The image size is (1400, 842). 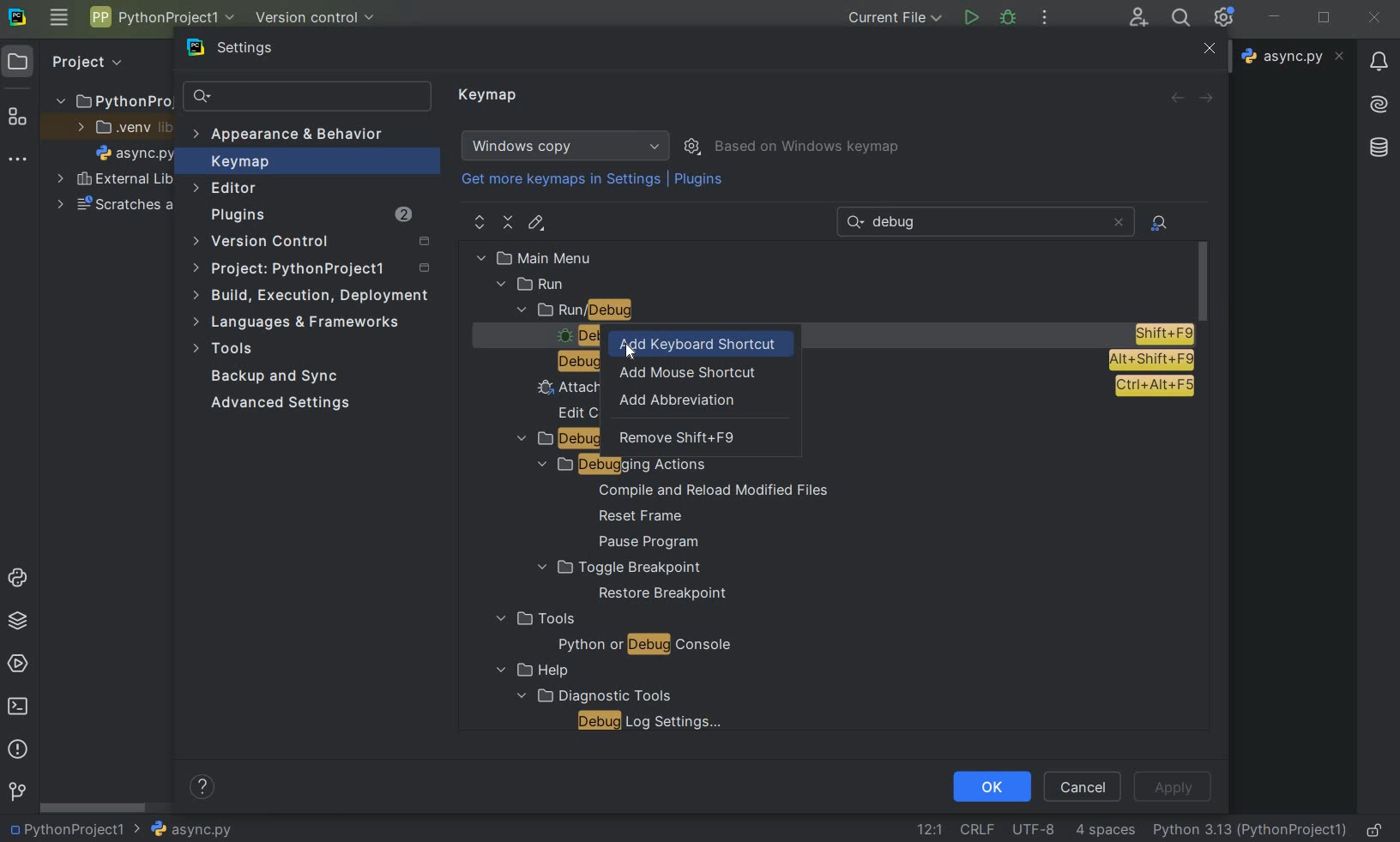 I want to click on debug, so click(x=568, y=362).